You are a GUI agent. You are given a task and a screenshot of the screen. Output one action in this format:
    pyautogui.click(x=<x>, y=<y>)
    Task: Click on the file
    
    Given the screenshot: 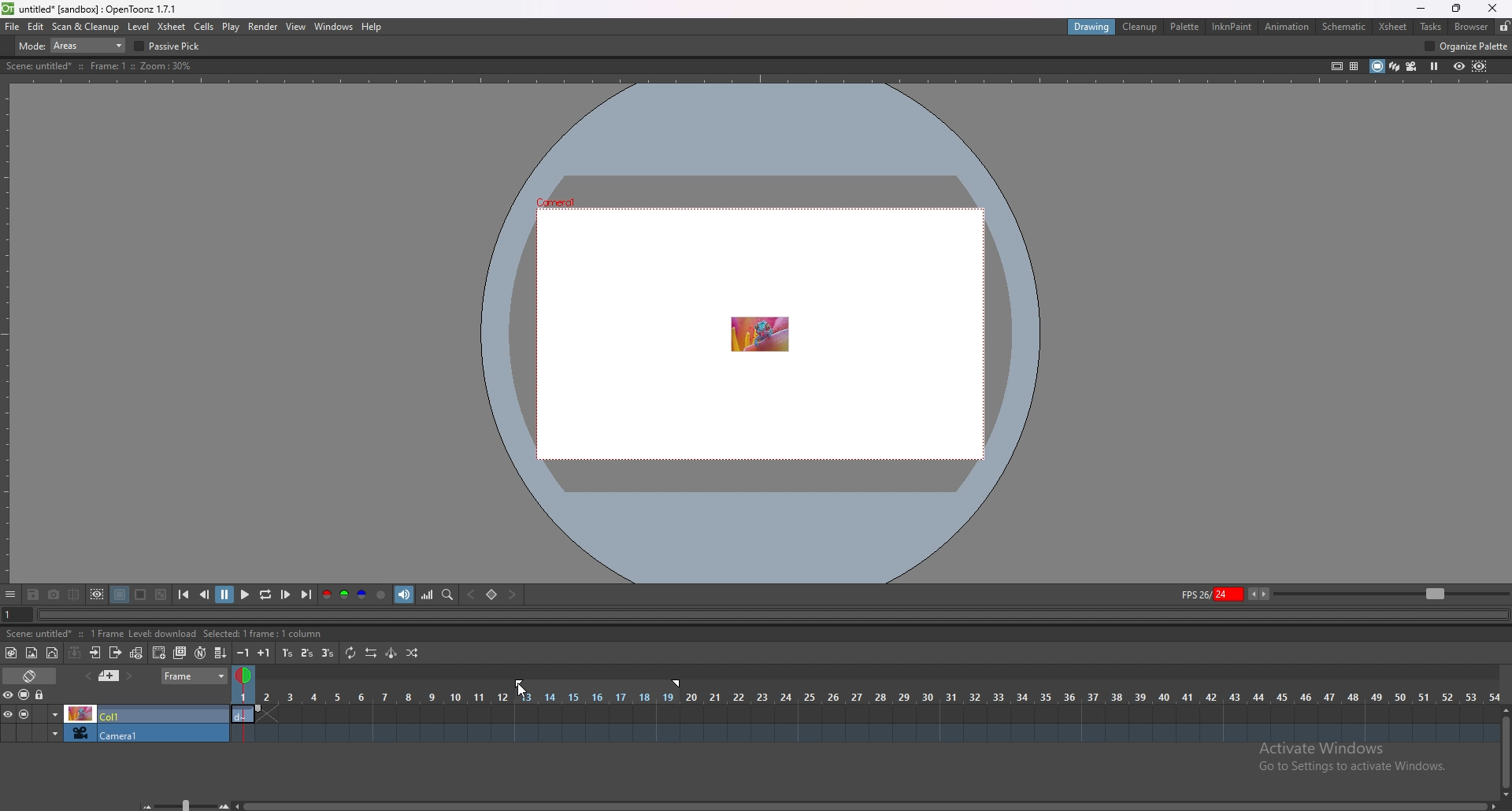 What is the action you would take?
    pyautogui.click(x=13, y=27)
    